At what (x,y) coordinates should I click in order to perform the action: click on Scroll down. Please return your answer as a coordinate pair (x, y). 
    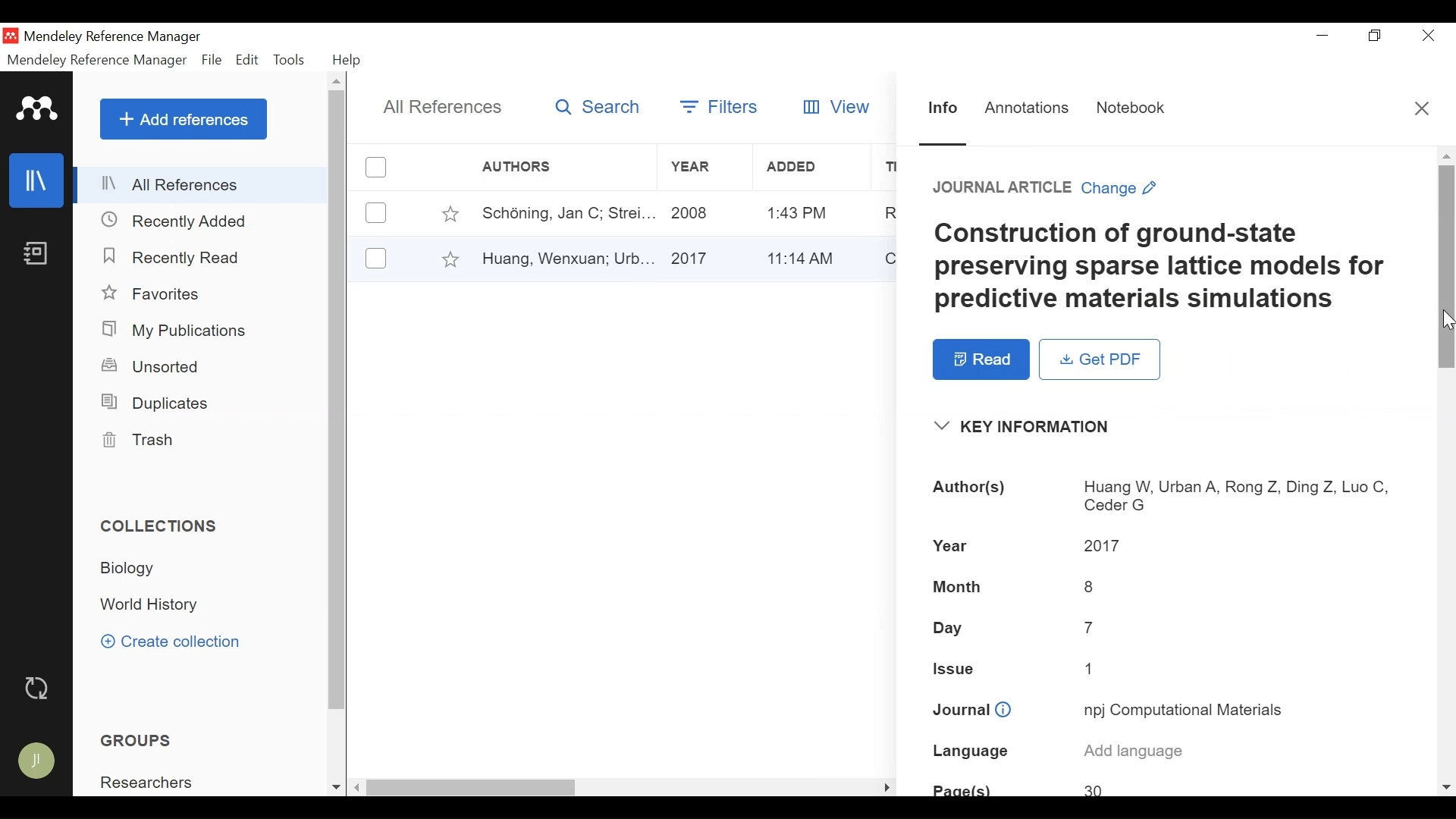
    Looking at the image, I should click on (1447, 789).